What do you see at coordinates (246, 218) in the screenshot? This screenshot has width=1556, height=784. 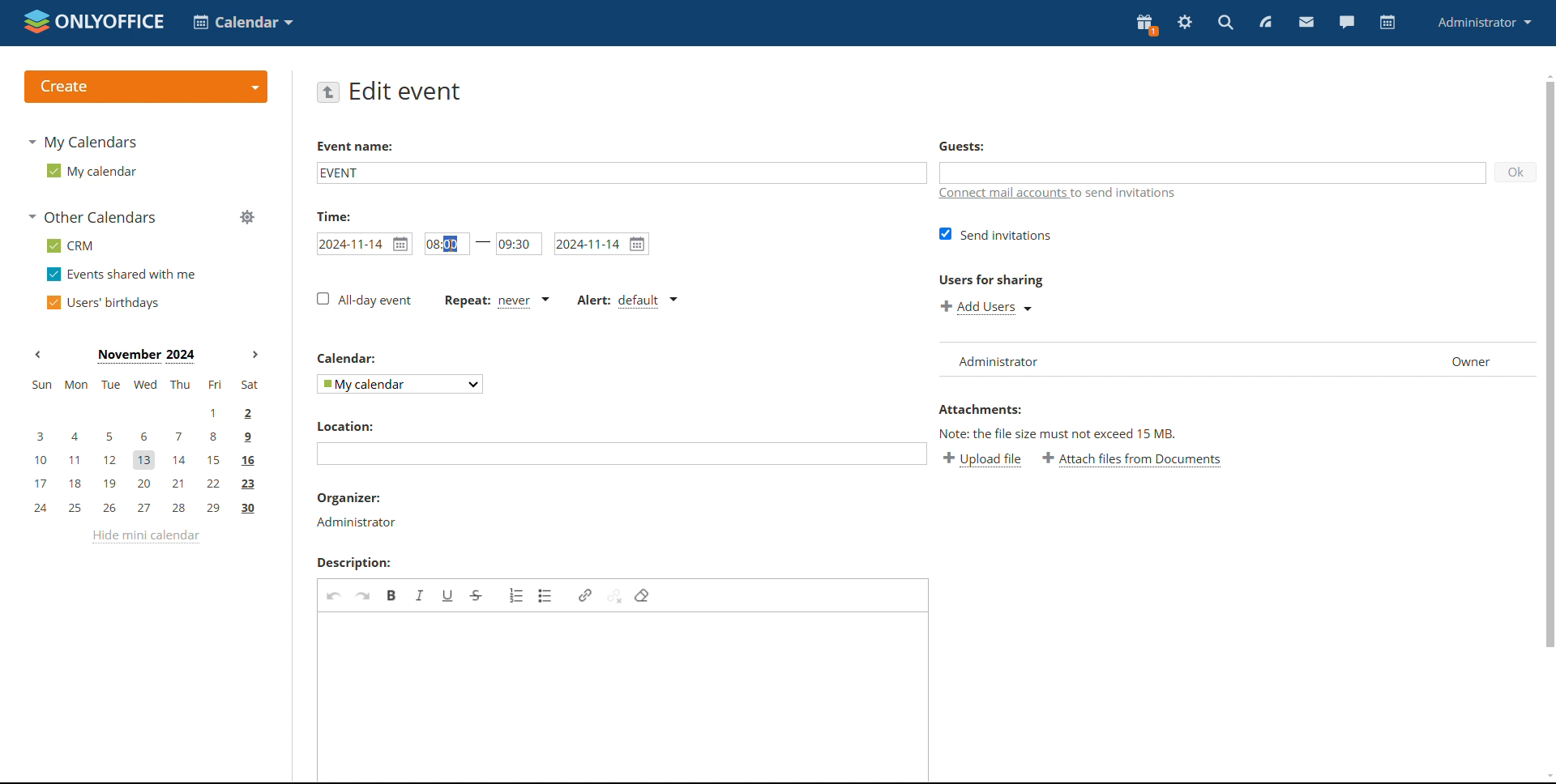 I see `manage` at bounding box center [246, 218].